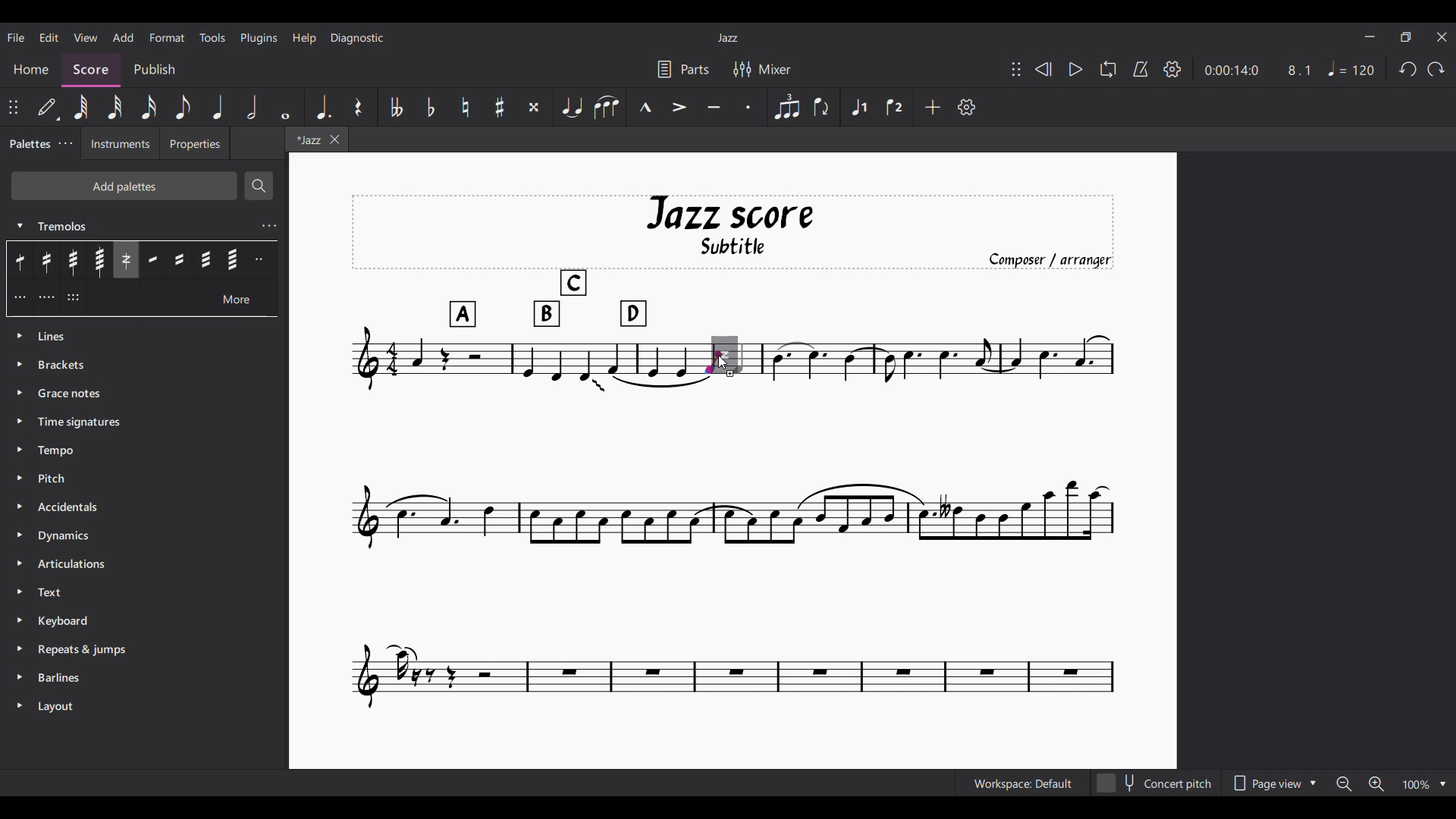 The image size is (1456, 819). I want to click on Tempo, so click(1351, 68).